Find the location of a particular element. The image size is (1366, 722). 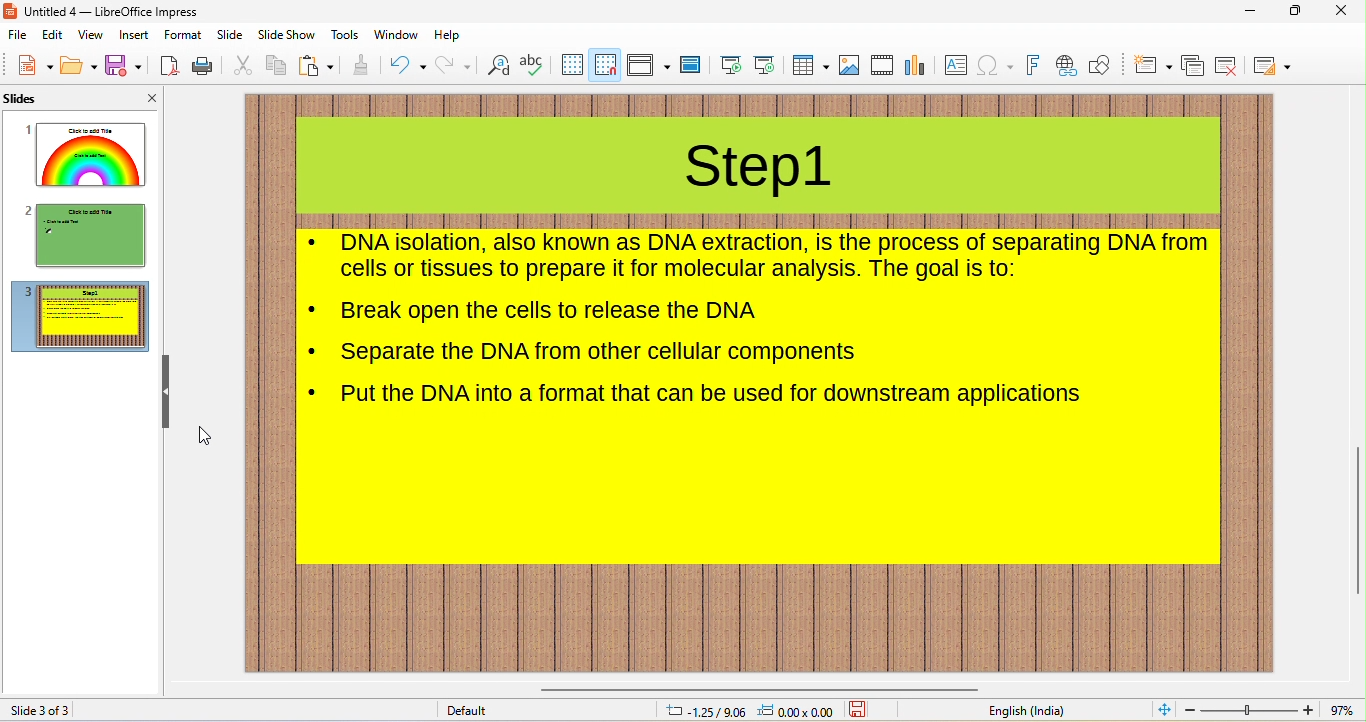

close is located at coordinates (1346, 12).